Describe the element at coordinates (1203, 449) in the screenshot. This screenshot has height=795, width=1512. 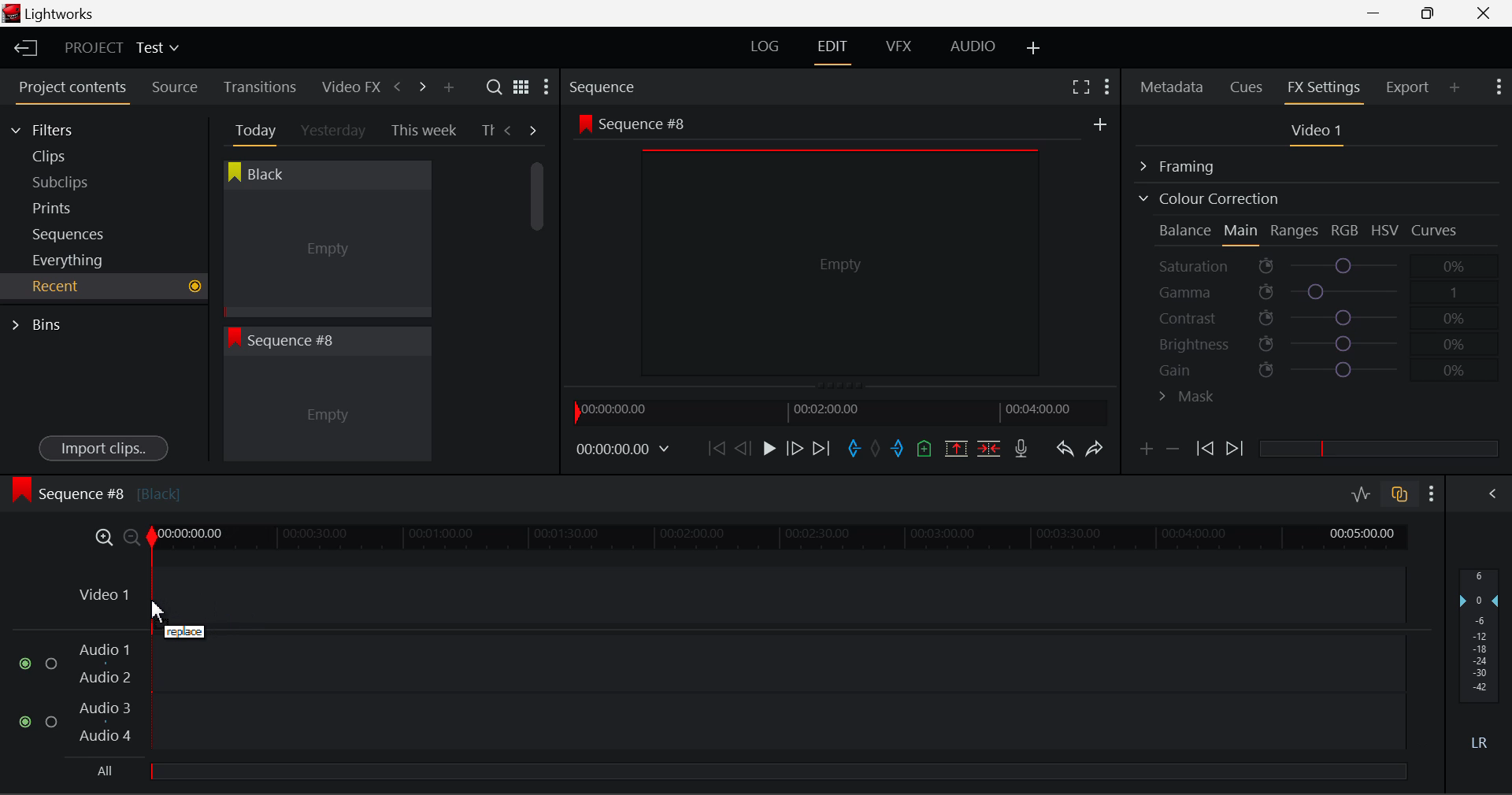
I see `Previous keyframe` at that location.